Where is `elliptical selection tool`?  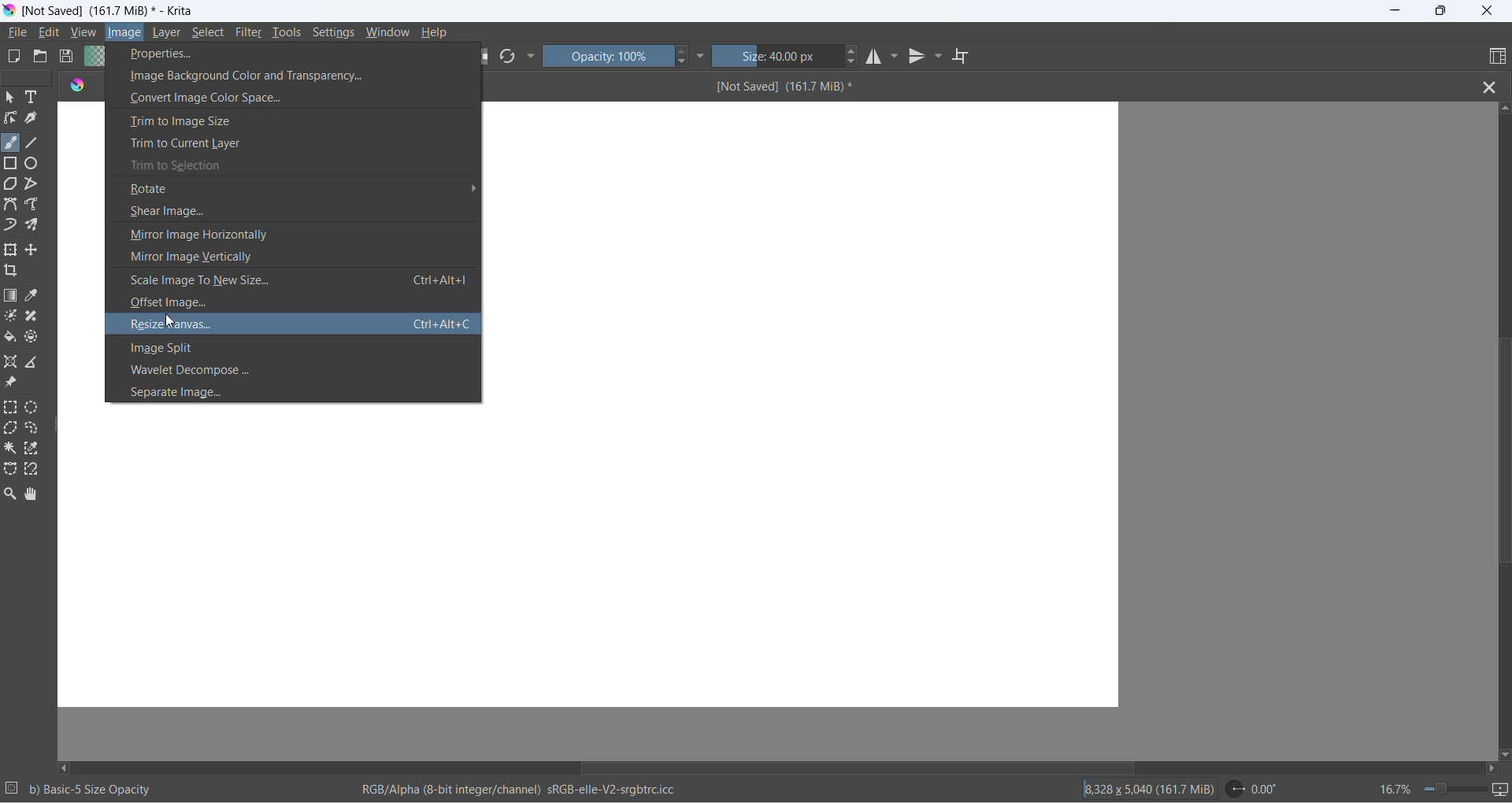
elliptical selection tool is located at coordinates (35, 407).